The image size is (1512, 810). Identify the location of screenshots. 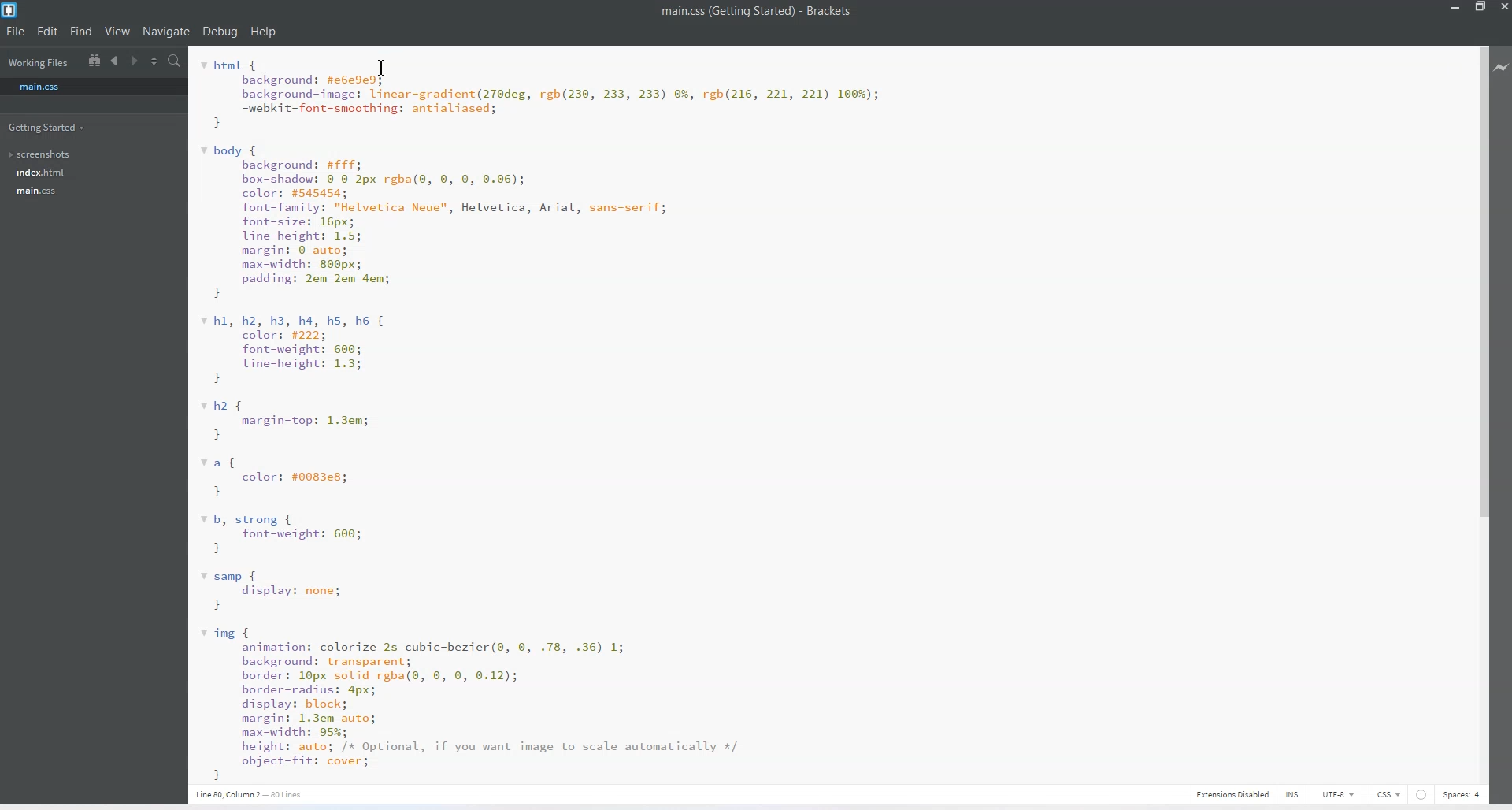
(40, 154).